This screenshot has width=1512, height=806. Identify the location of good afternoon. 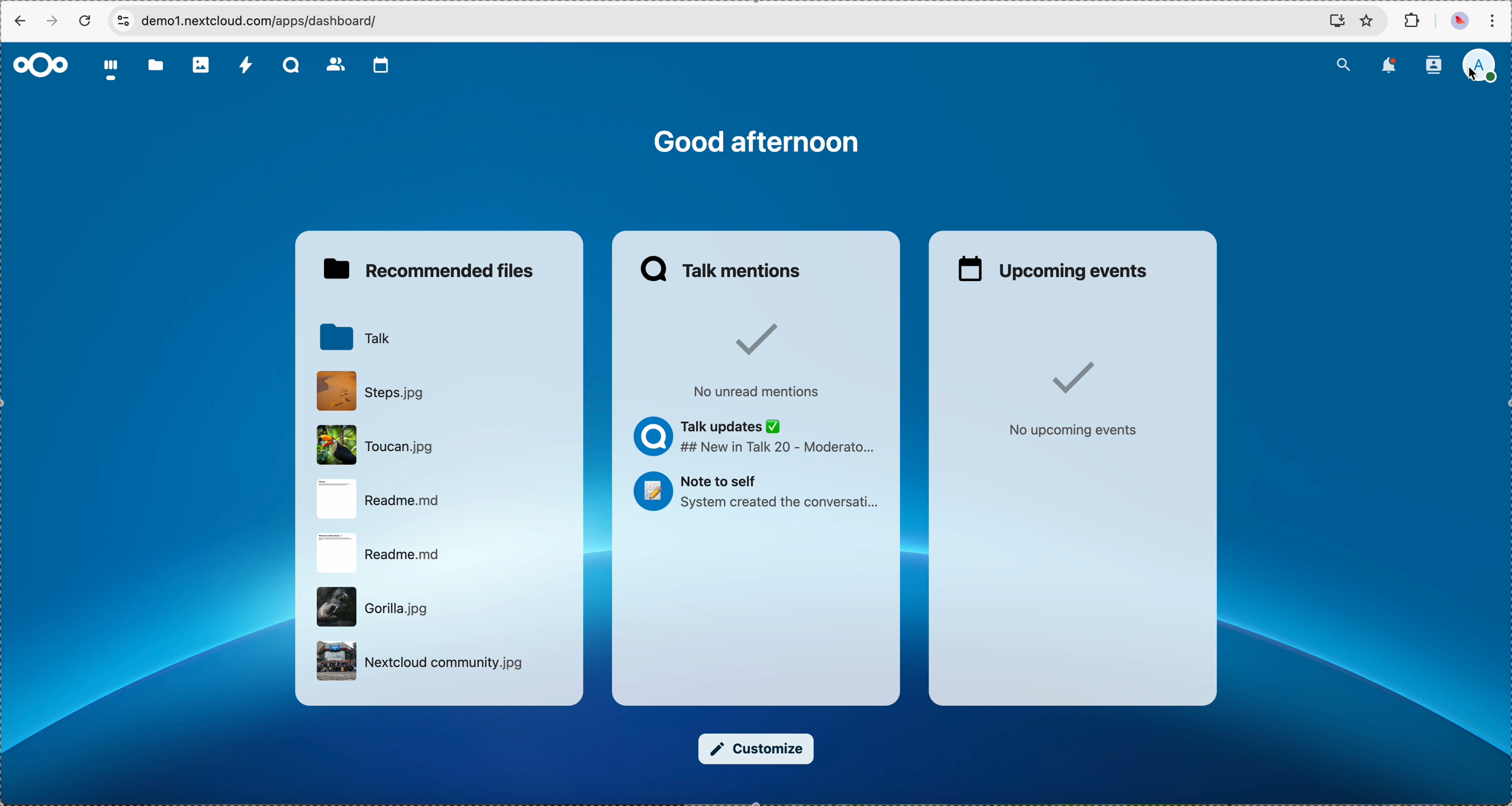
(757, 141).